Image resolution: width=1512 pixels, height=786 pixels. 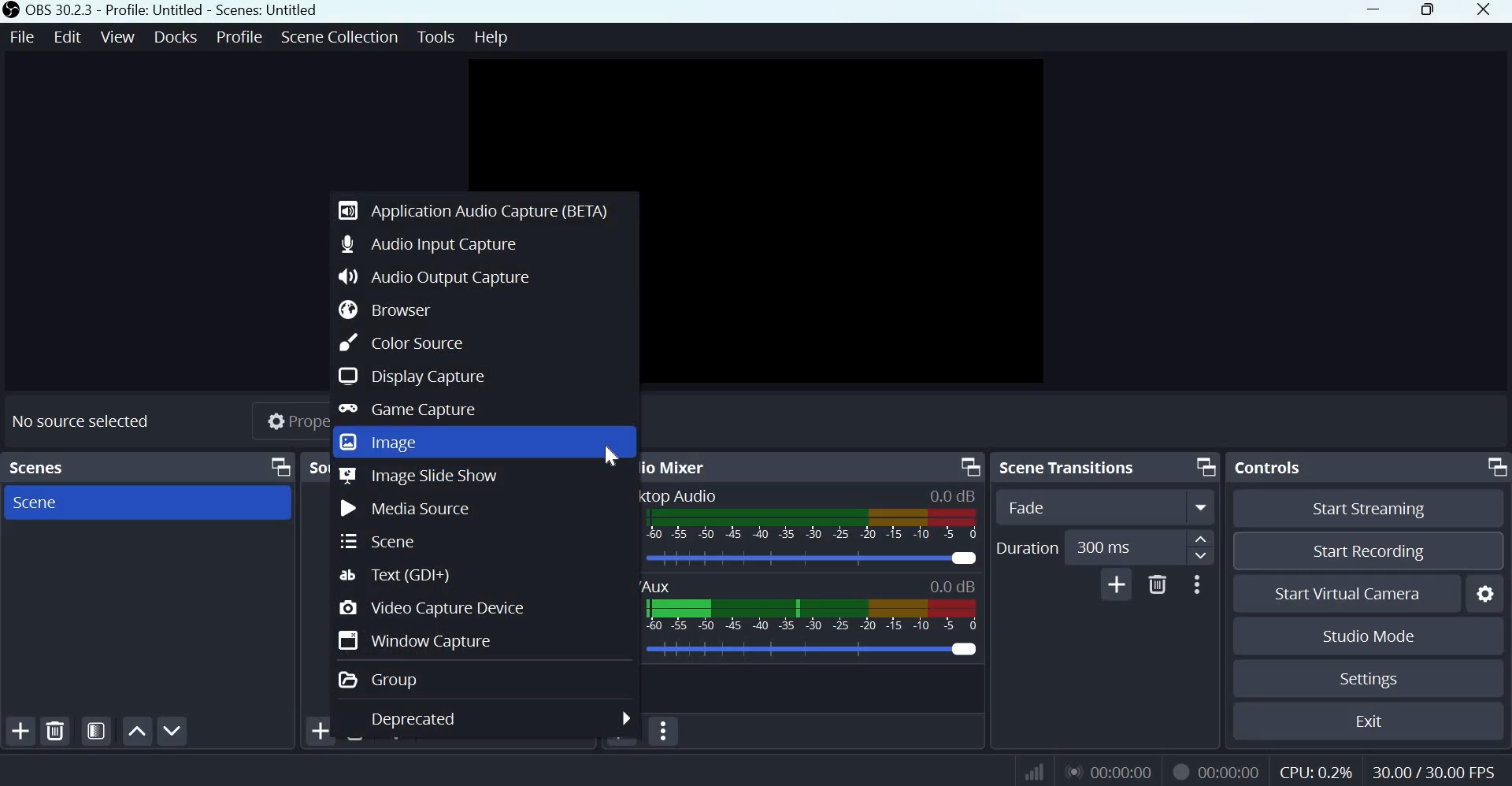 What do you see at coordinates (118, 35) in the screenshot?
I see `view` at bounding box center [118, 35].